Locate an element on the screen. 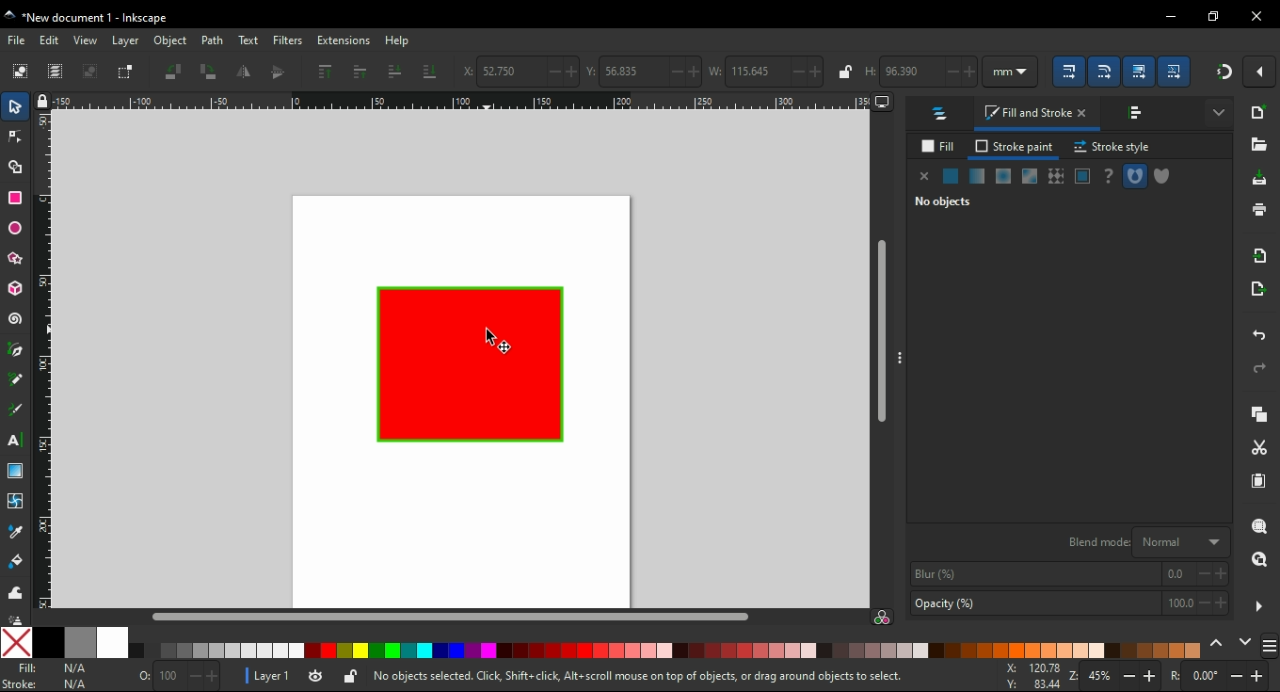 This screenshot has width=1280, height=692. more settings is located at coordinates (1219, 110).